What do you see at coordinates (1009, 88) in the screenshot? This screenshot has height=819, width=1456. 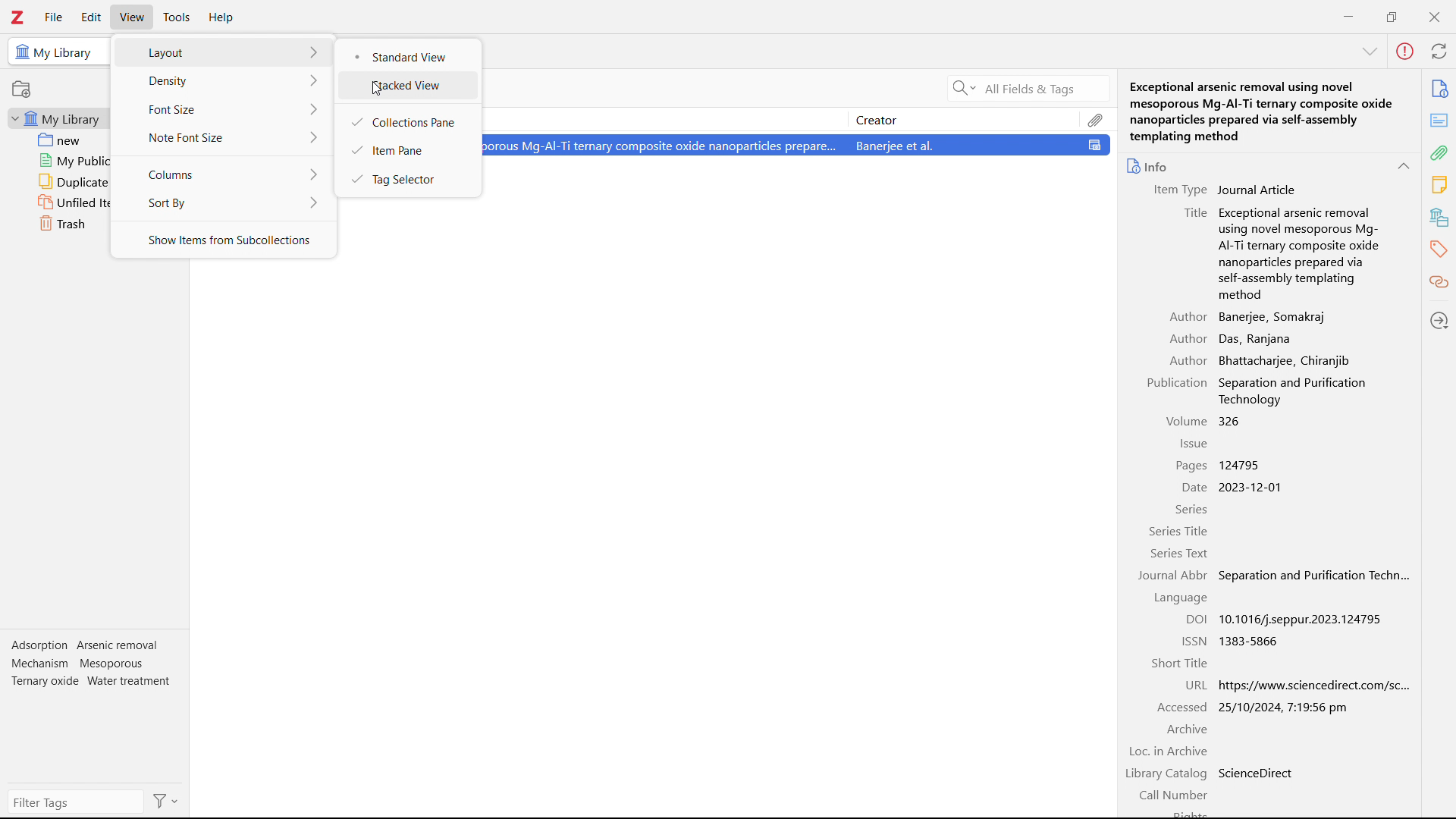 I see `All Fields & Tags` at bounding box center [1009, 88].